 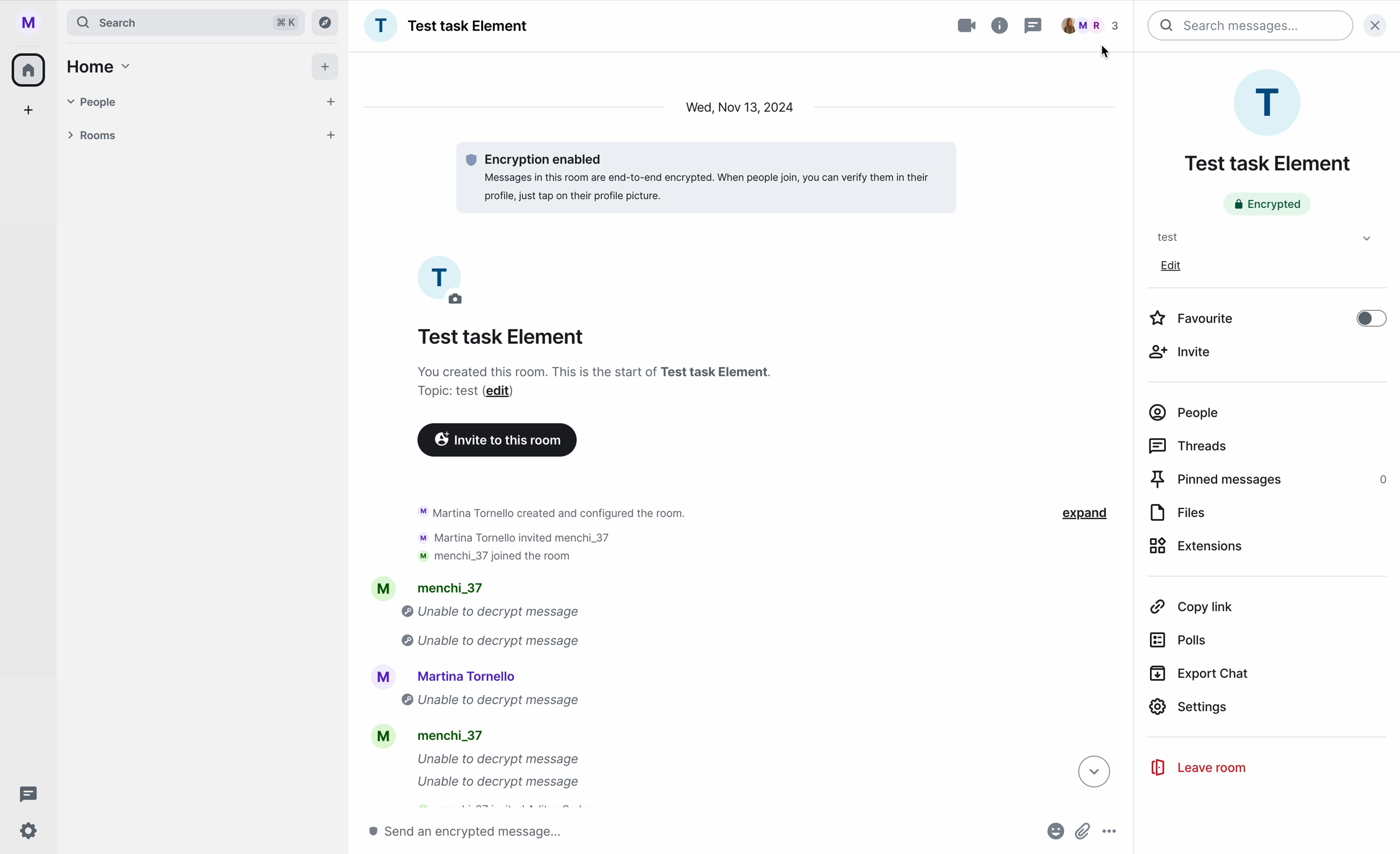 I want to click on expand, so click(x=1073, y=514).